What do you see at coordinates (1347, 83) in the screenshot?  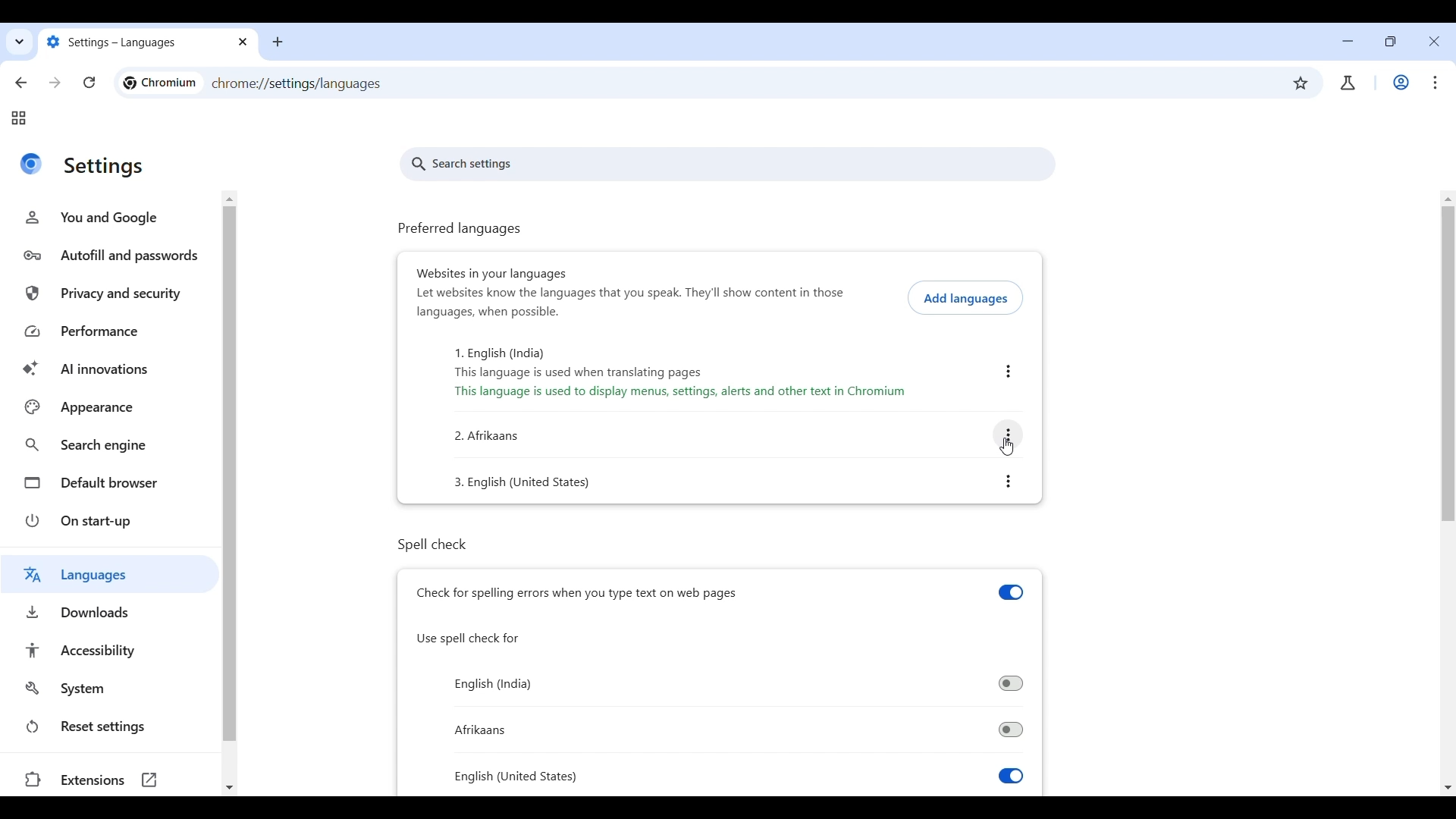 I see `account/user profile` at bounding box center [1347, 83].